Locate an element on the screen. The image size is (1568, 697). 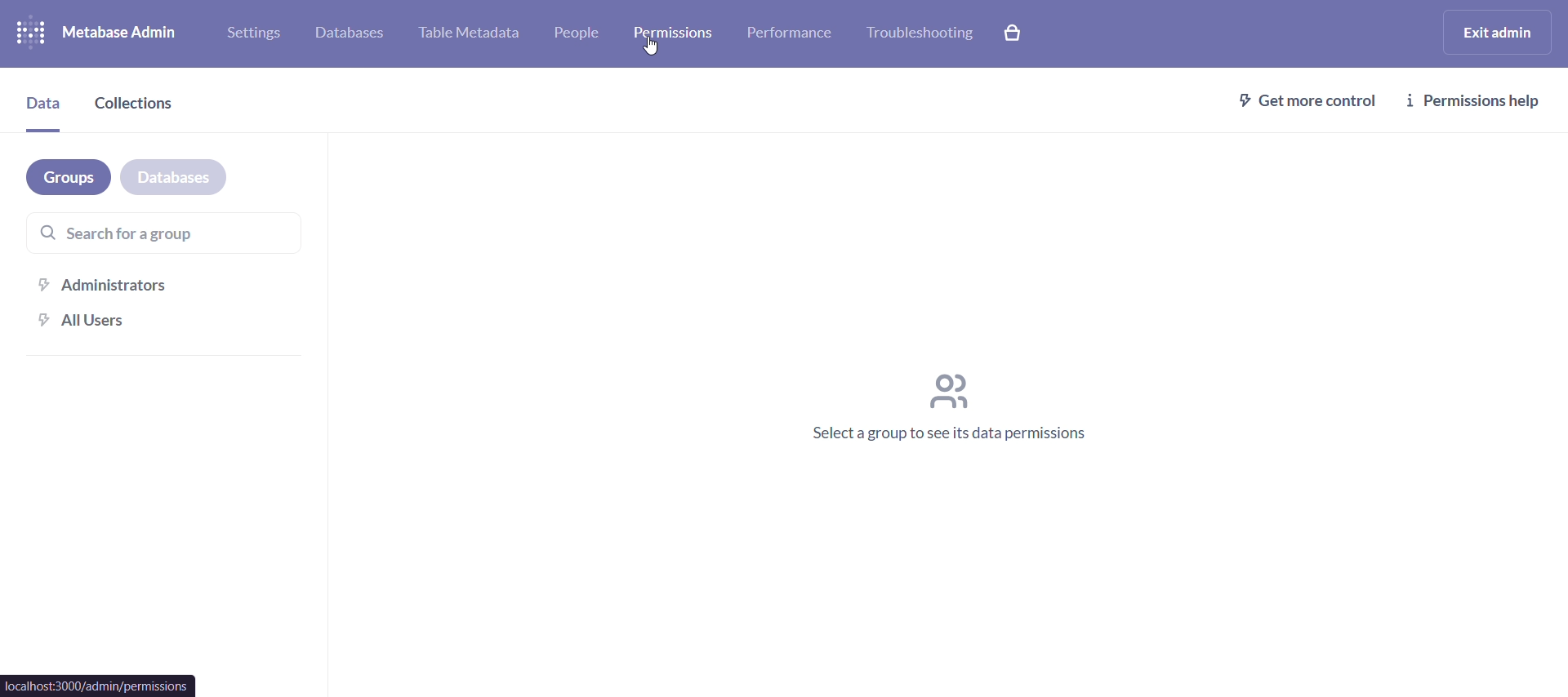
explore paid features is located at coordinates (1017, 36).